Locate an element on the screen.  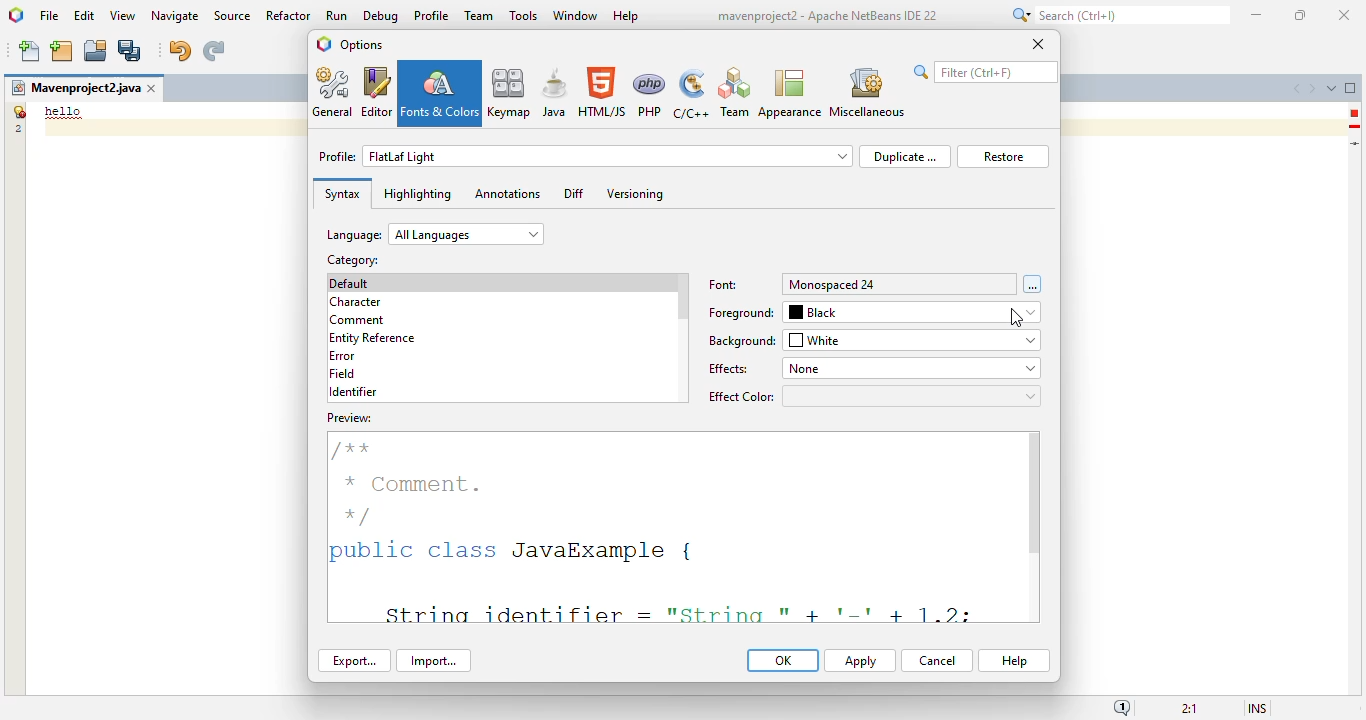
apply is located at coordinates (860, 661).